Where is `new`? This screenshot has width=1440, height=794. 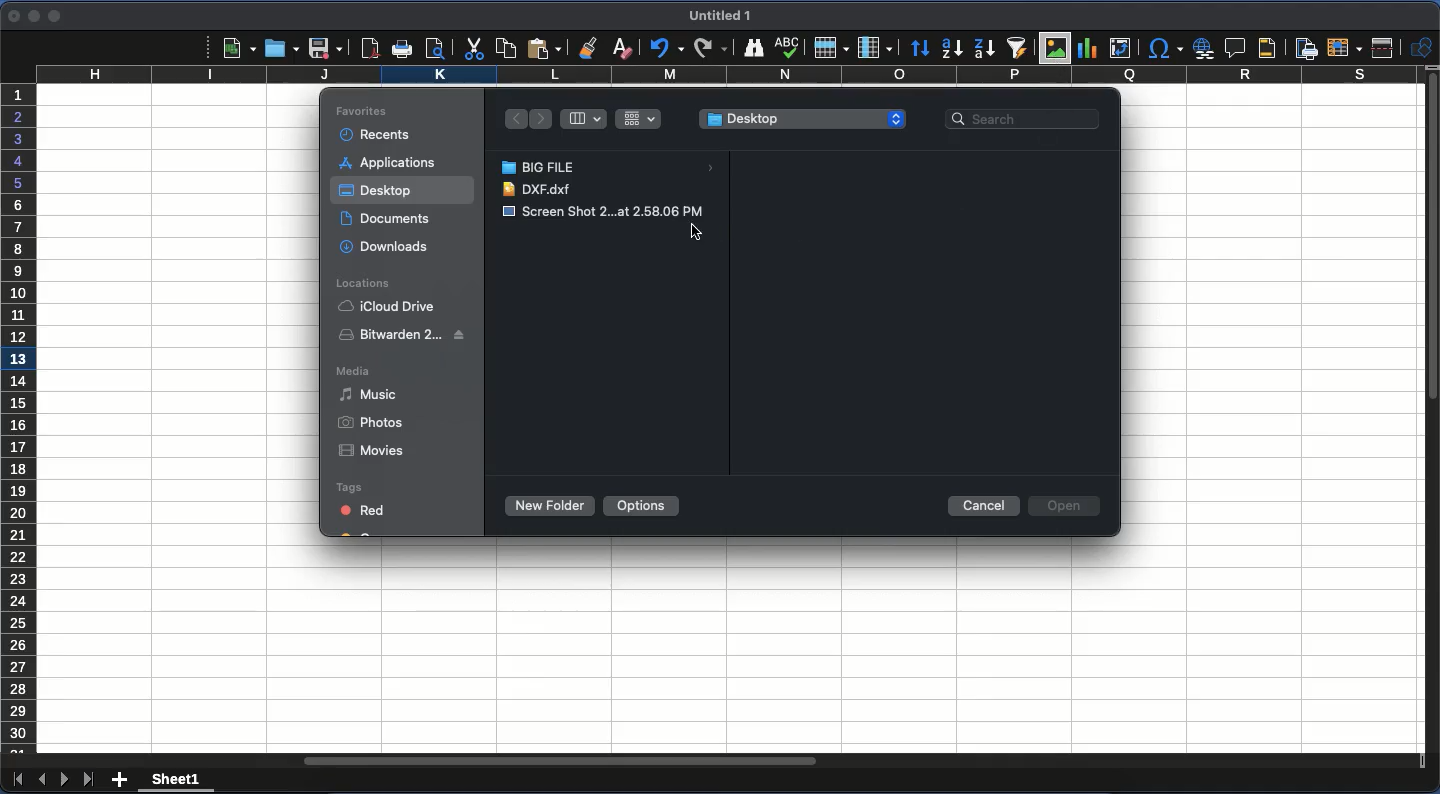
new is located at coordinates (239, 49).